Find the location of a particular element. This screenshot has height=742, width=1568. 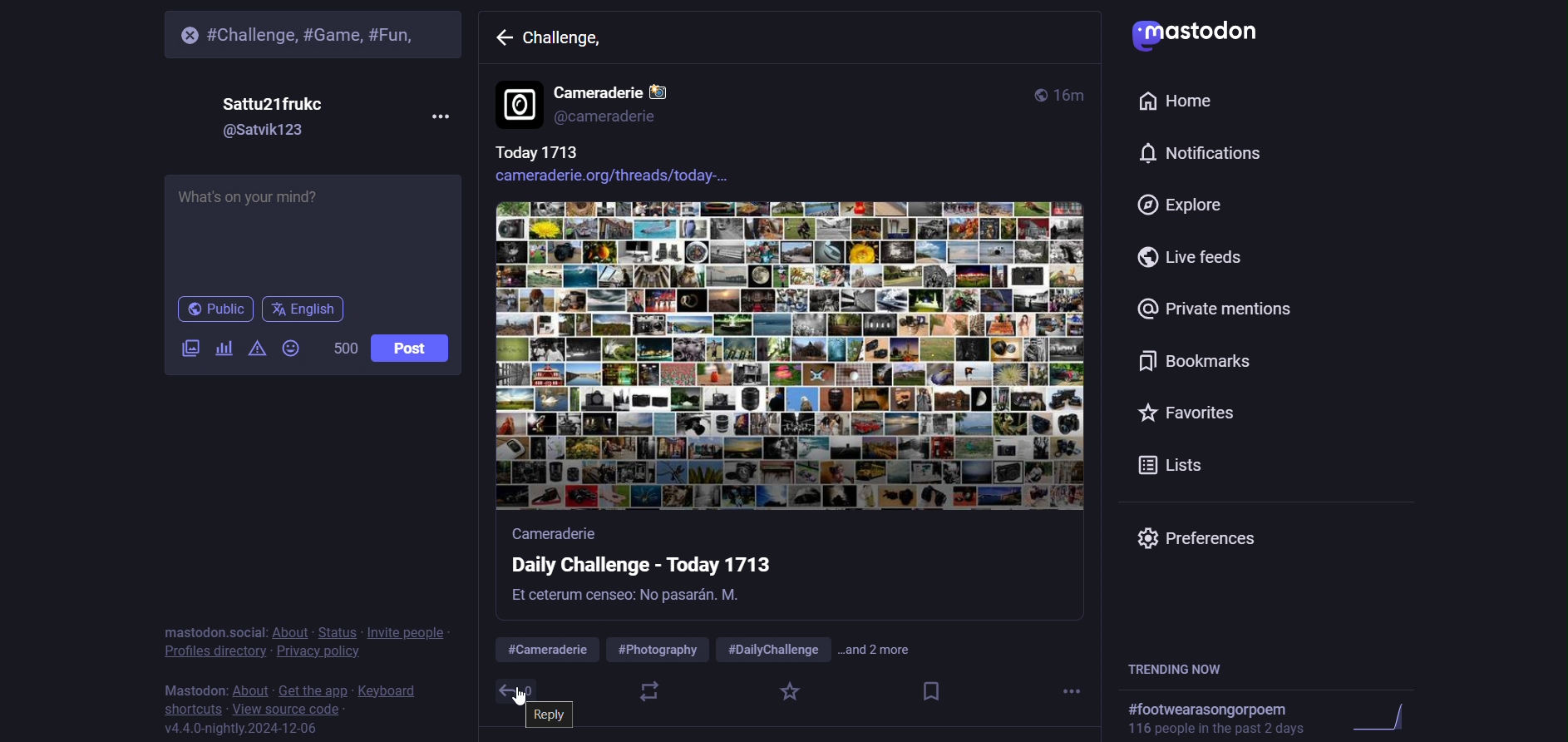

favorite is located at coordinates (789, 693).